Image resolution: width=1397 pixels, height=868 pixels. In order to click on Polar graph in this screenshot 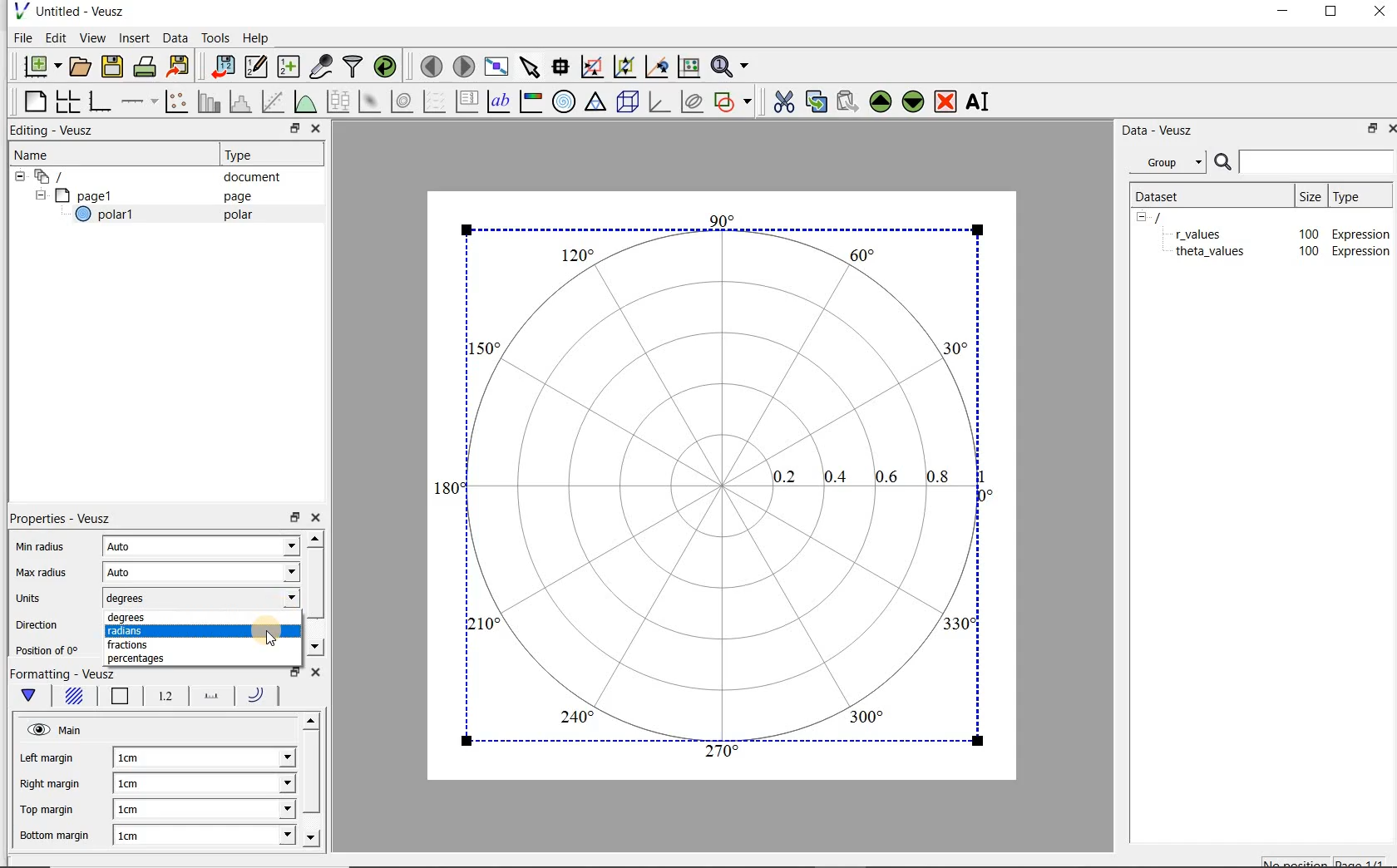, I will do `click(722, 491)`.